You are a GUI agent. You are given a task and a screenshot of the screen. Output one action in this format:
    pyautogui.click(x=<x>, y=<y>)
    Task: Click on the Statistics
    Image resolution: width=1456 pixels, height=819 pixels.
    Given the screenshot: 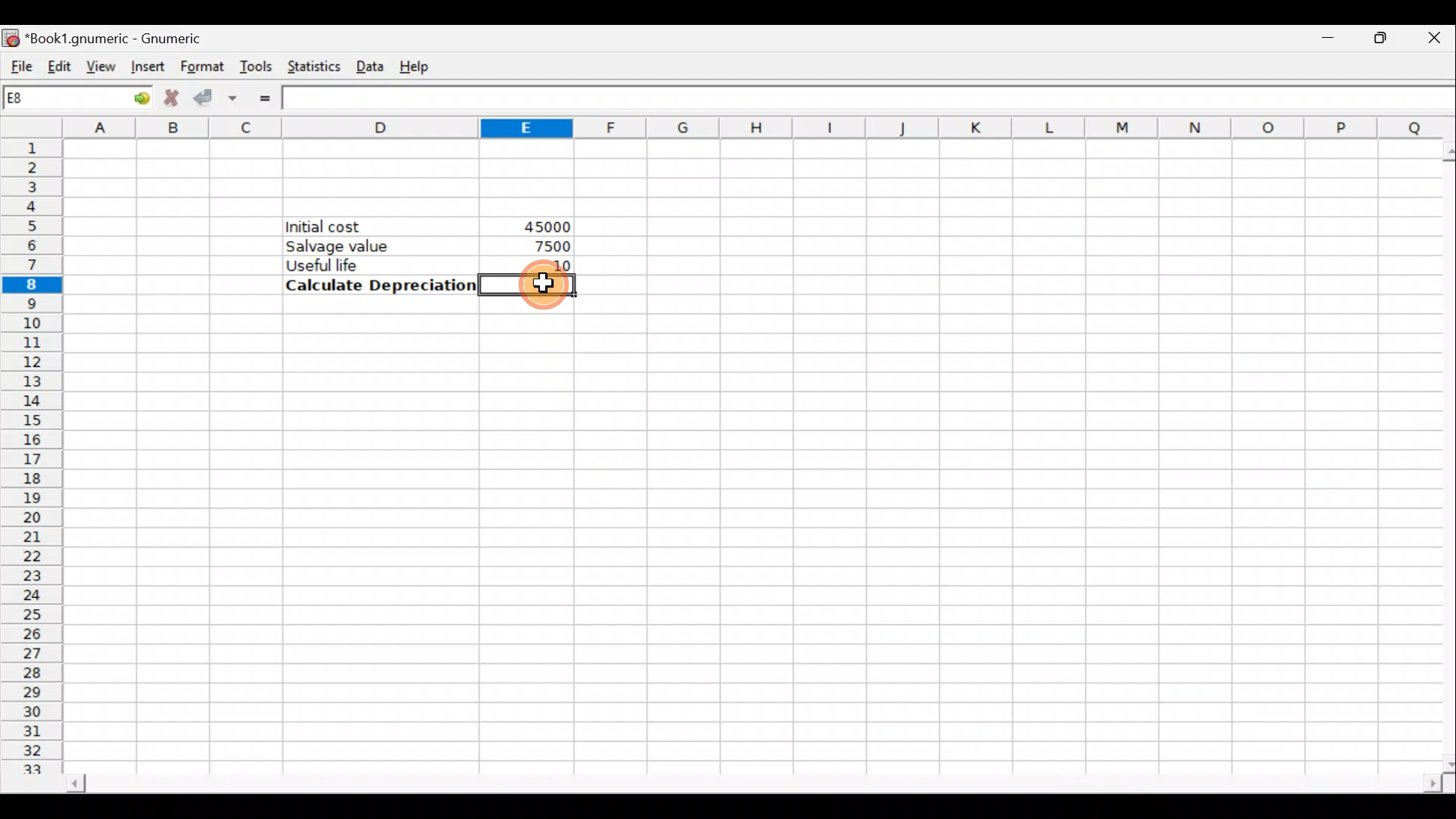 What is the action you would take?
    pyautogui.click(x=315, y=65)
    